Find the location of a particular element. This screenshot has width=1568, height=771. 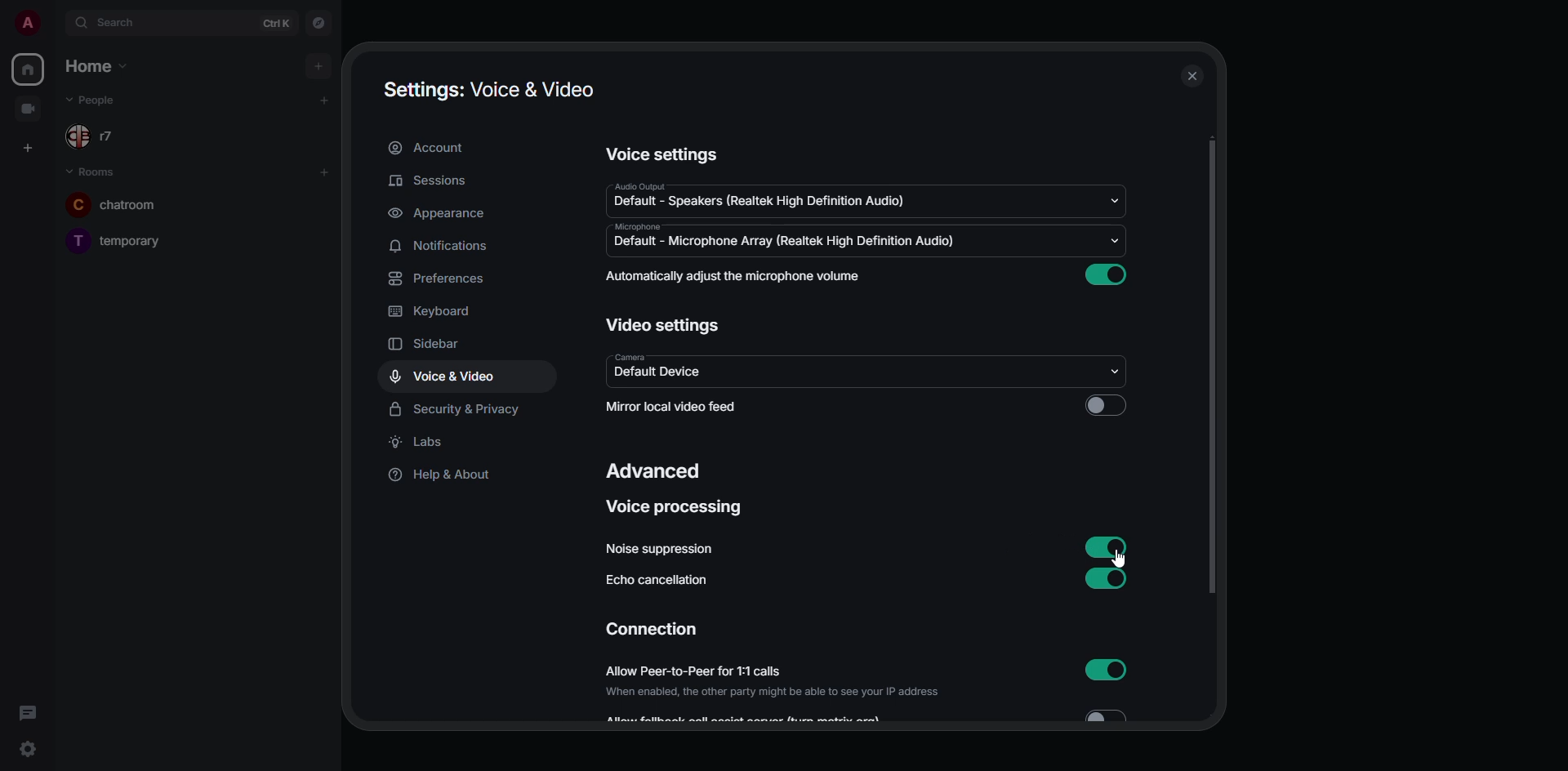

create space is located at coordinates (24, 146).